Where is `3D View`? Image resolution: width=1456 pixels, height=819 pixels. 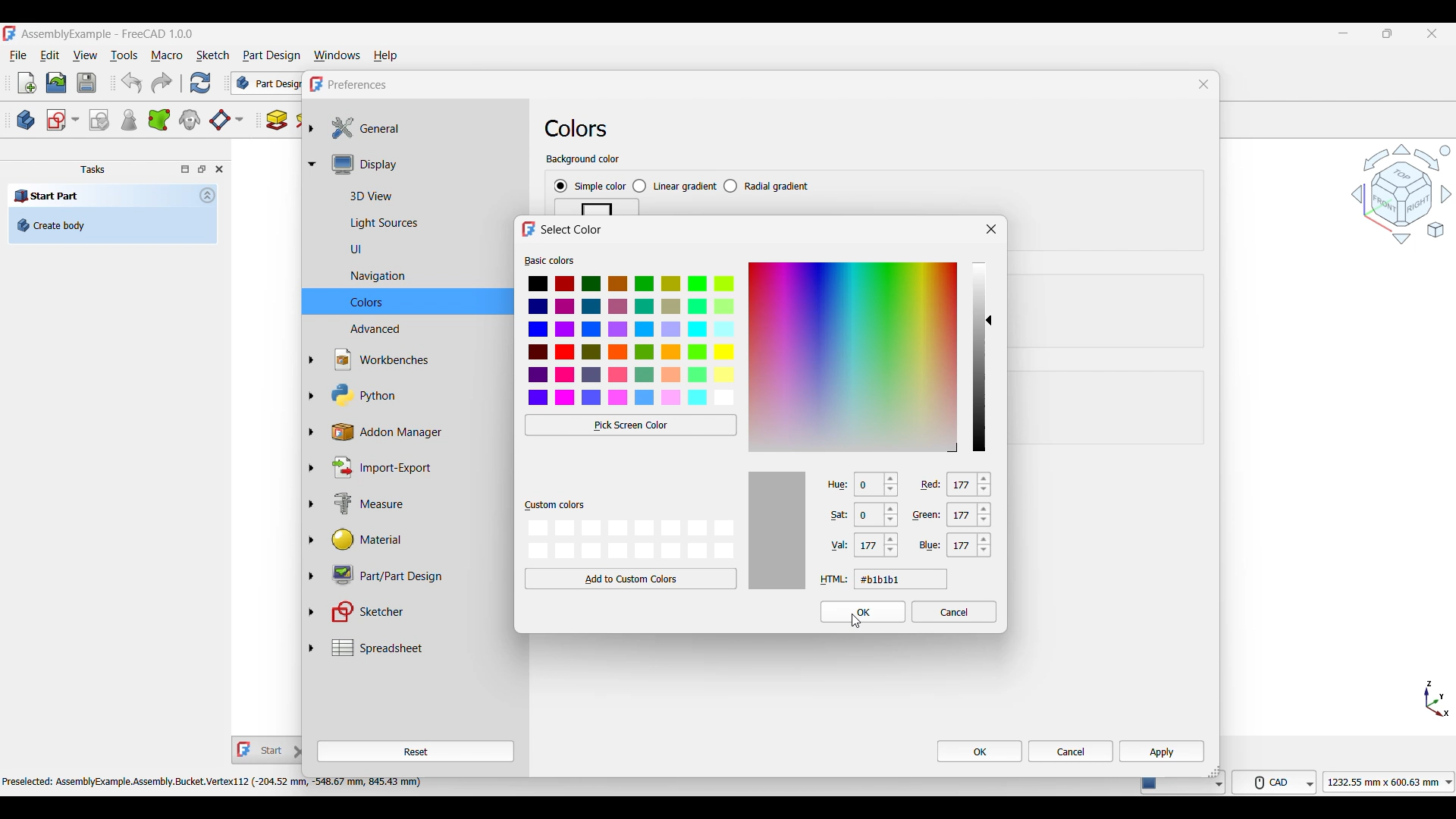
3D View is located at coordinates (423, 194).